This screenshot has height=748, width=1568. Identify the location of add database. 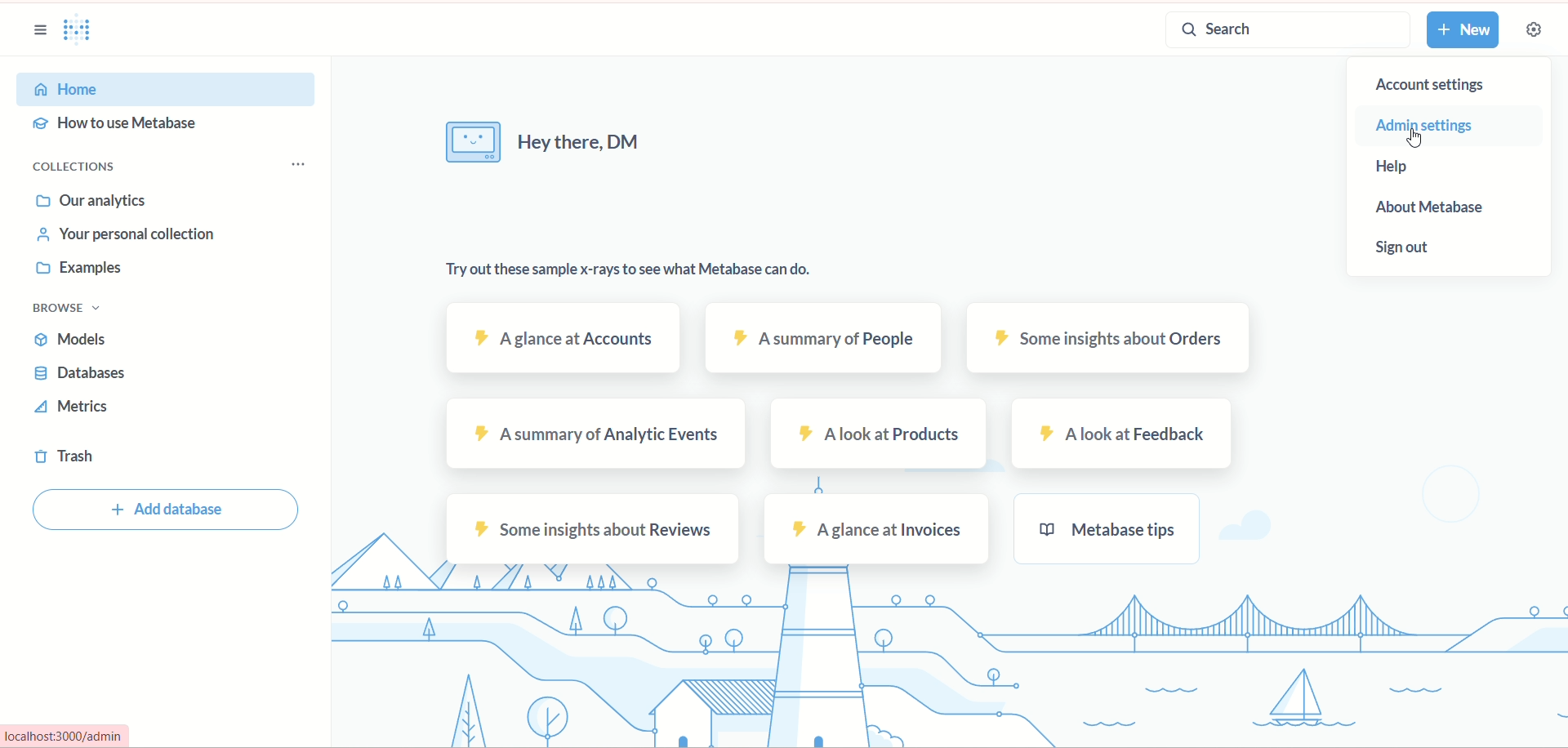
(167, 510).